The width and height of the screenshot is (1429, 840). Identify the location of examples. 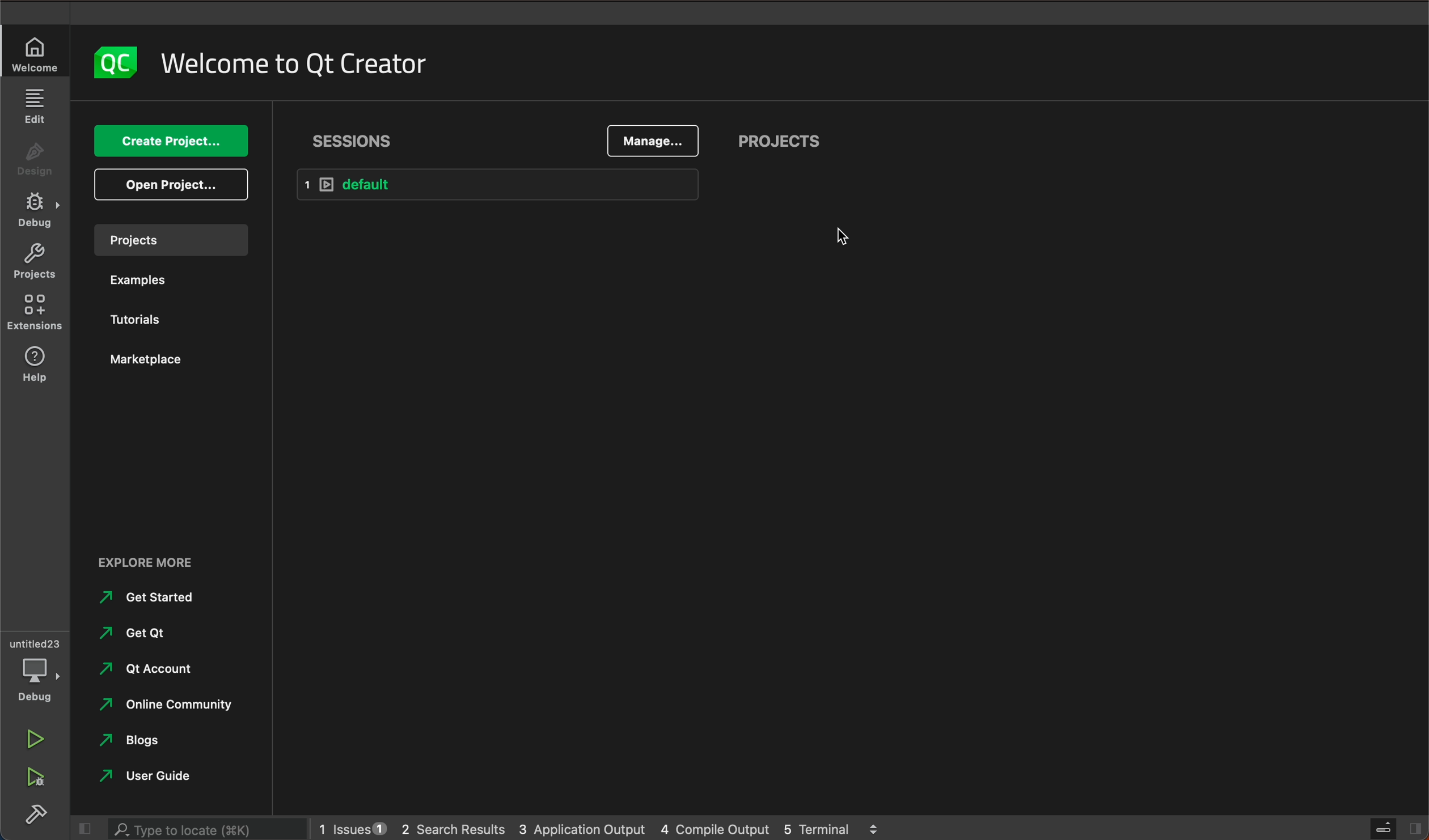
(149, 282).